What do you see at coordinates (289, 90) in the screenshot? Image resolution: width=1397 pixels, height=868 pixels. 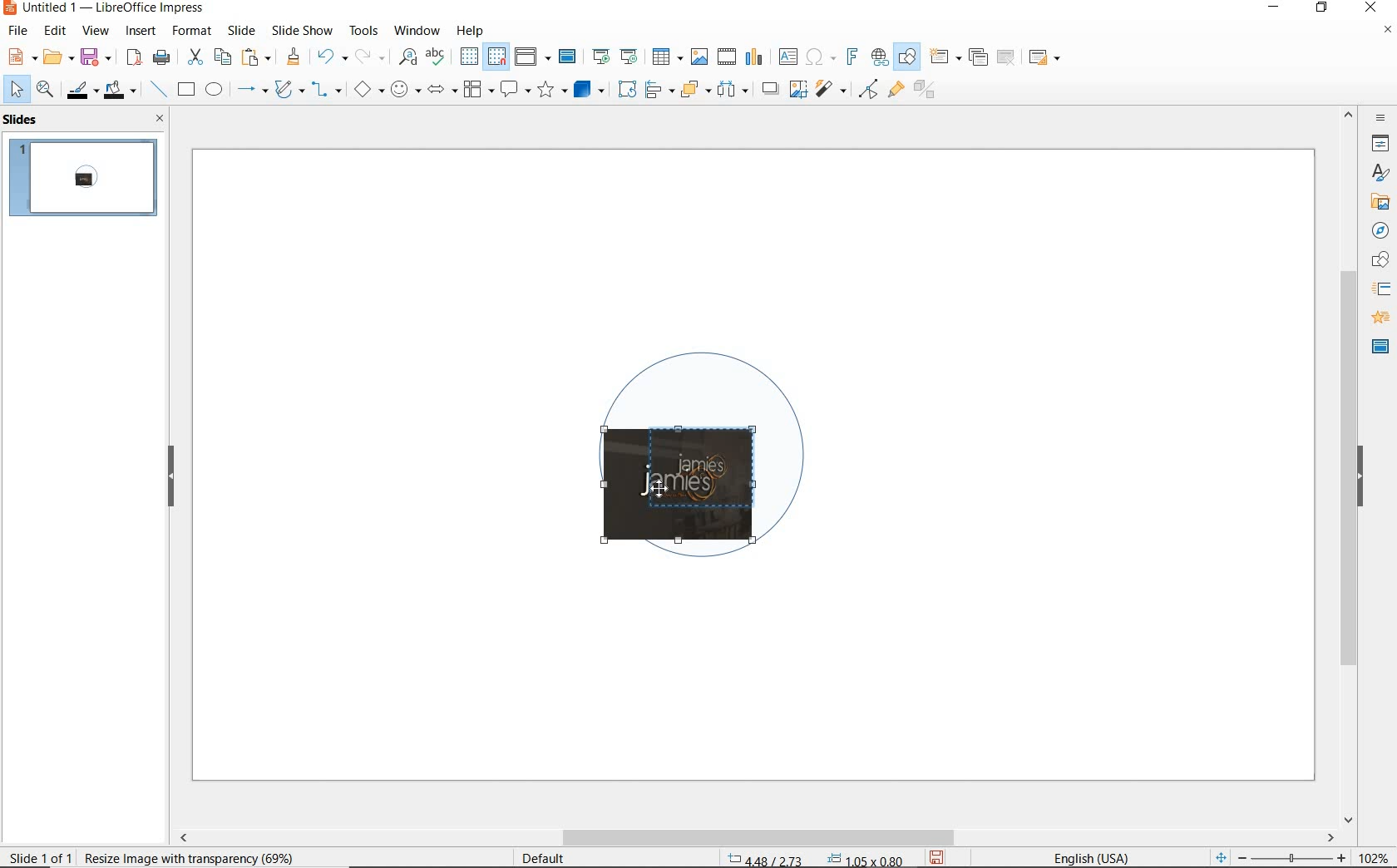 I see `curves & polygons` at bounding box center [289, 90].